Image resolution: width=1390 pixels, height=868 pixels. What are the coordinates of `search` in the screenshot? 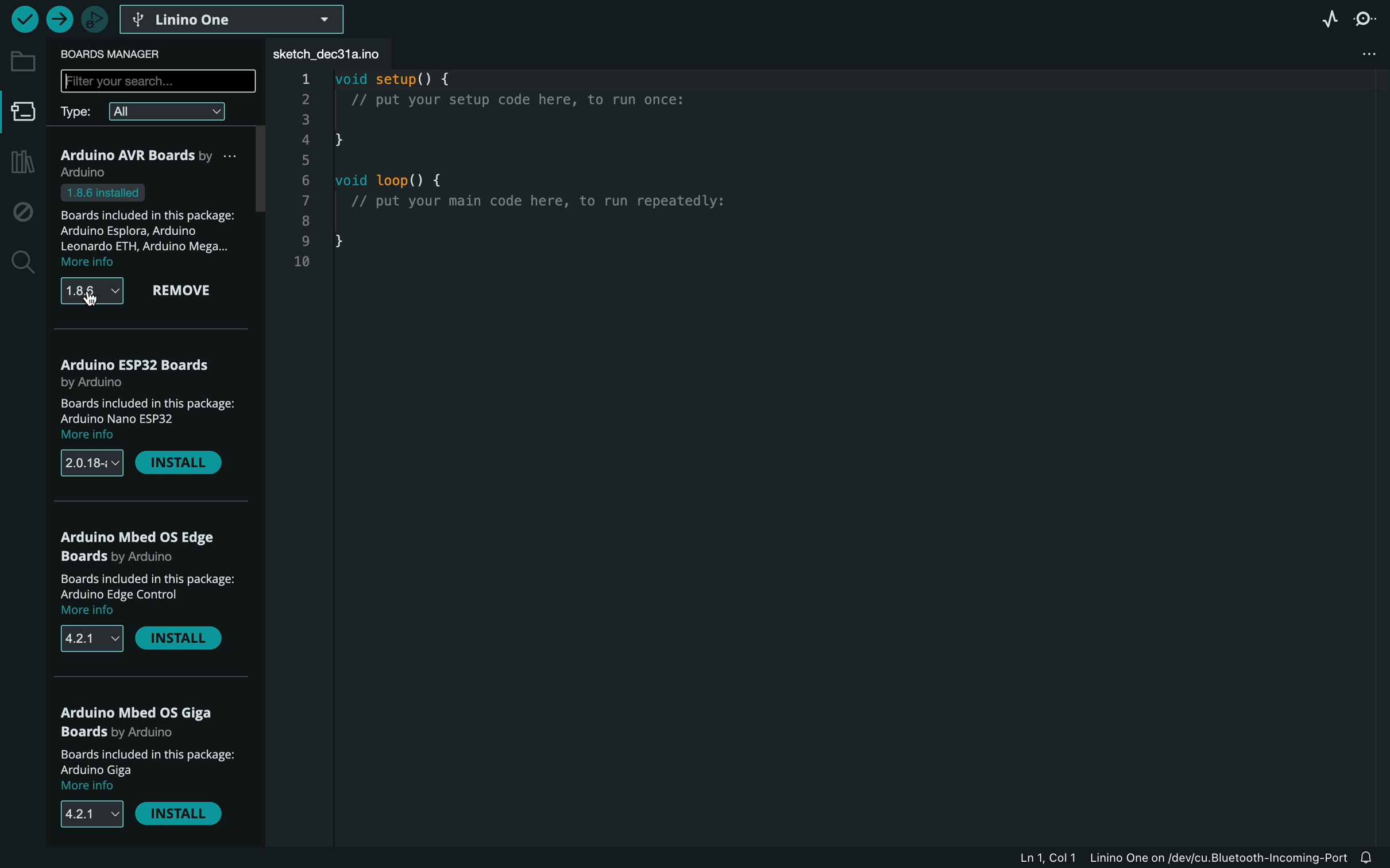 It's located at (21, 263).